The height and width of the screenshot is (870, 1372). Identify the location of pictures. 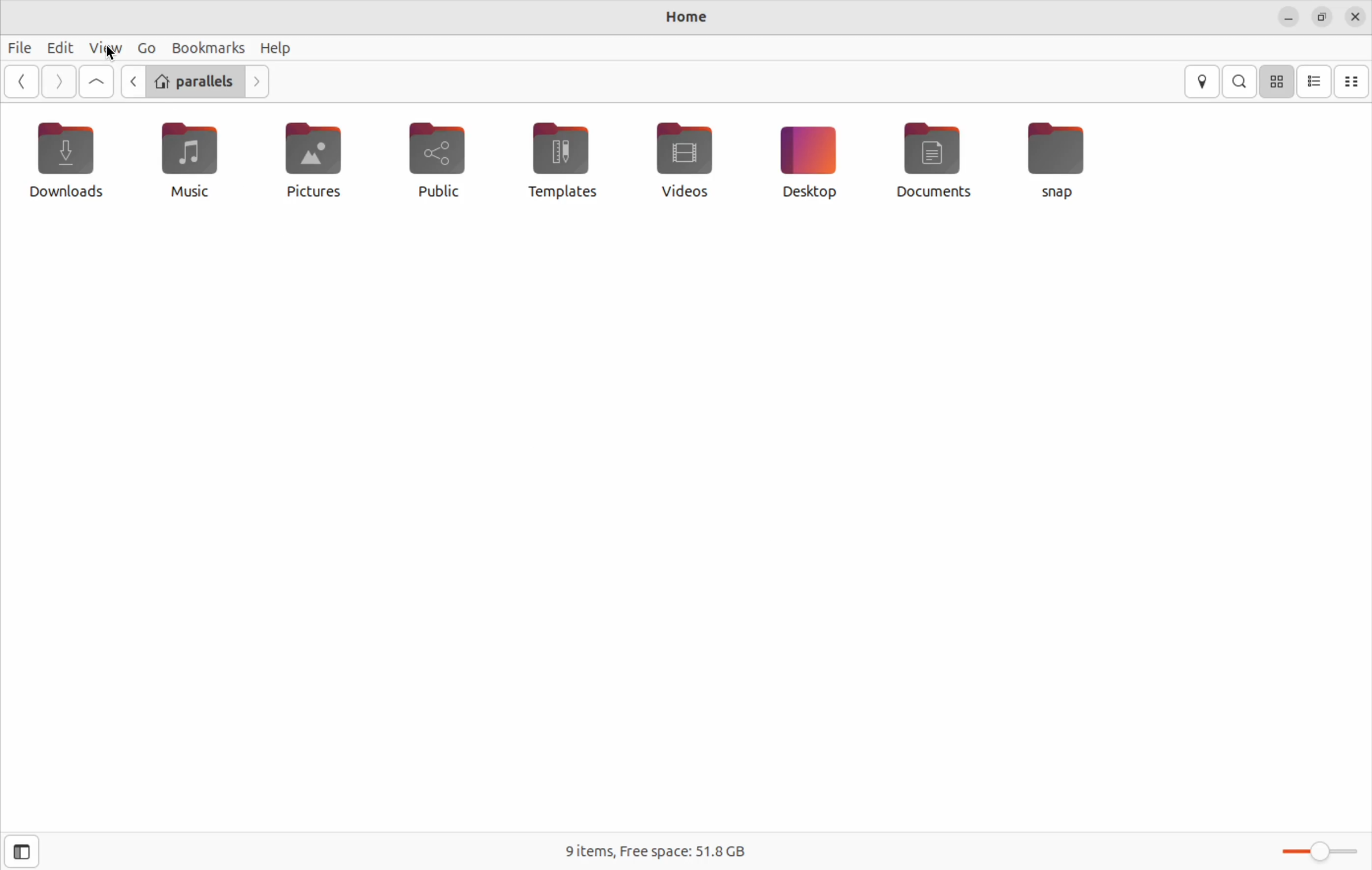
(320, 158).